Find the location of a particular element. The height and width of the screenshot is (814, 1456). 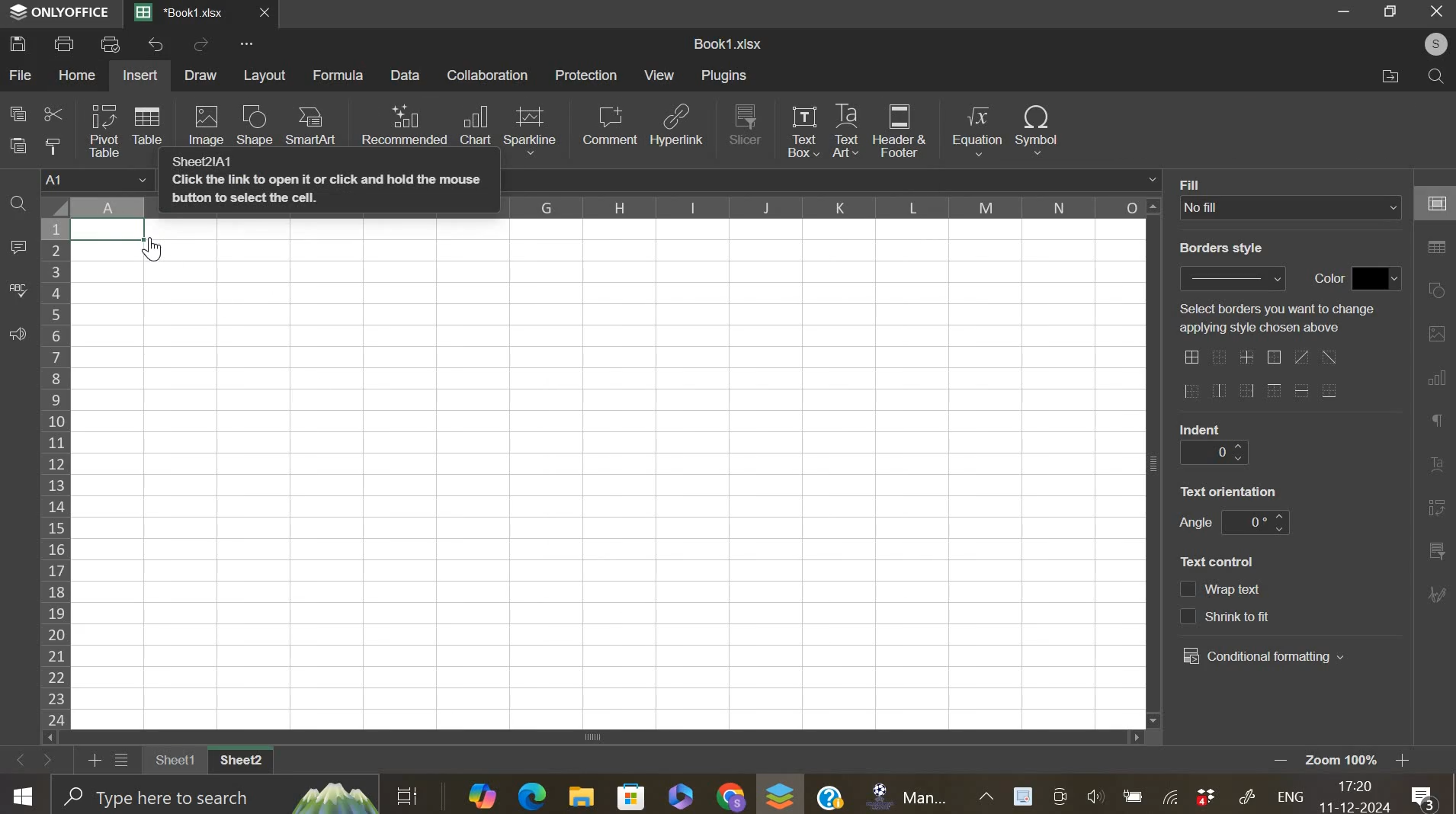

Maximize is located at coordinates (1393, 11).